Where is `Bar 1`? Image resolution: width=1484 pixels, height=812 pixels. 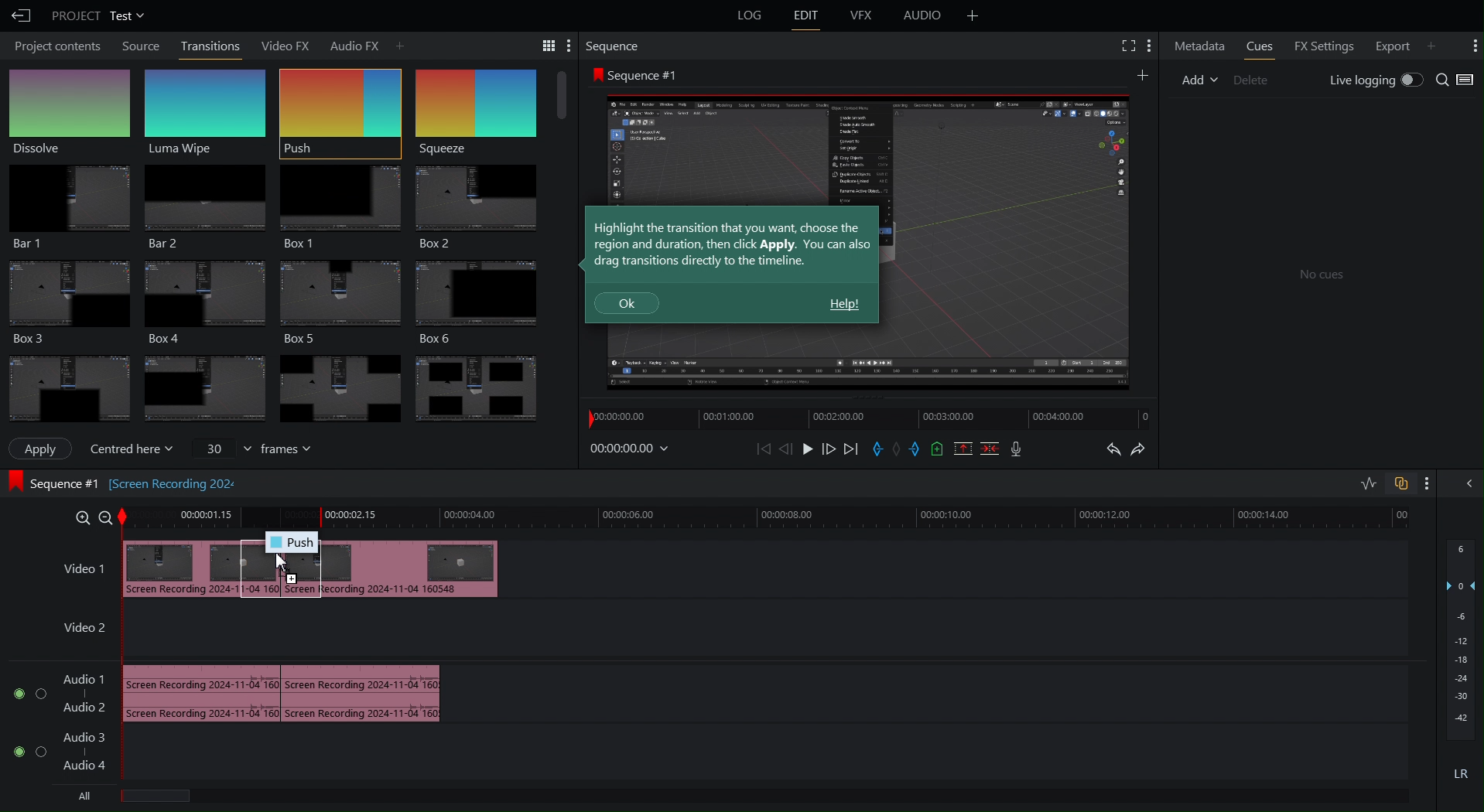
Bar 1 is located at coordinates (66, 210).